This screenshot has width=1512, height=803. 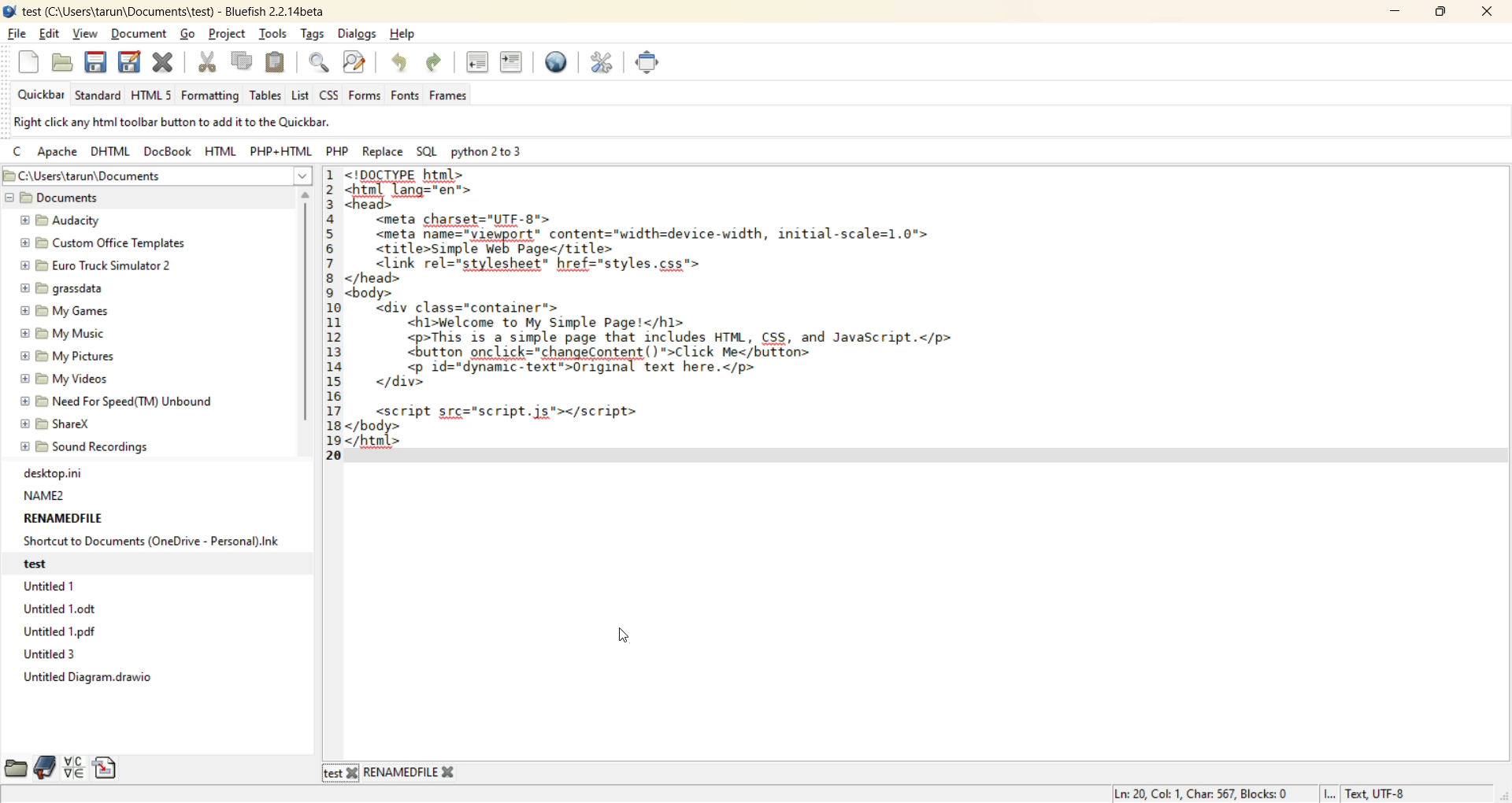 I want to click on Euro Truck Simulator 2, so click(x=95, y=263).